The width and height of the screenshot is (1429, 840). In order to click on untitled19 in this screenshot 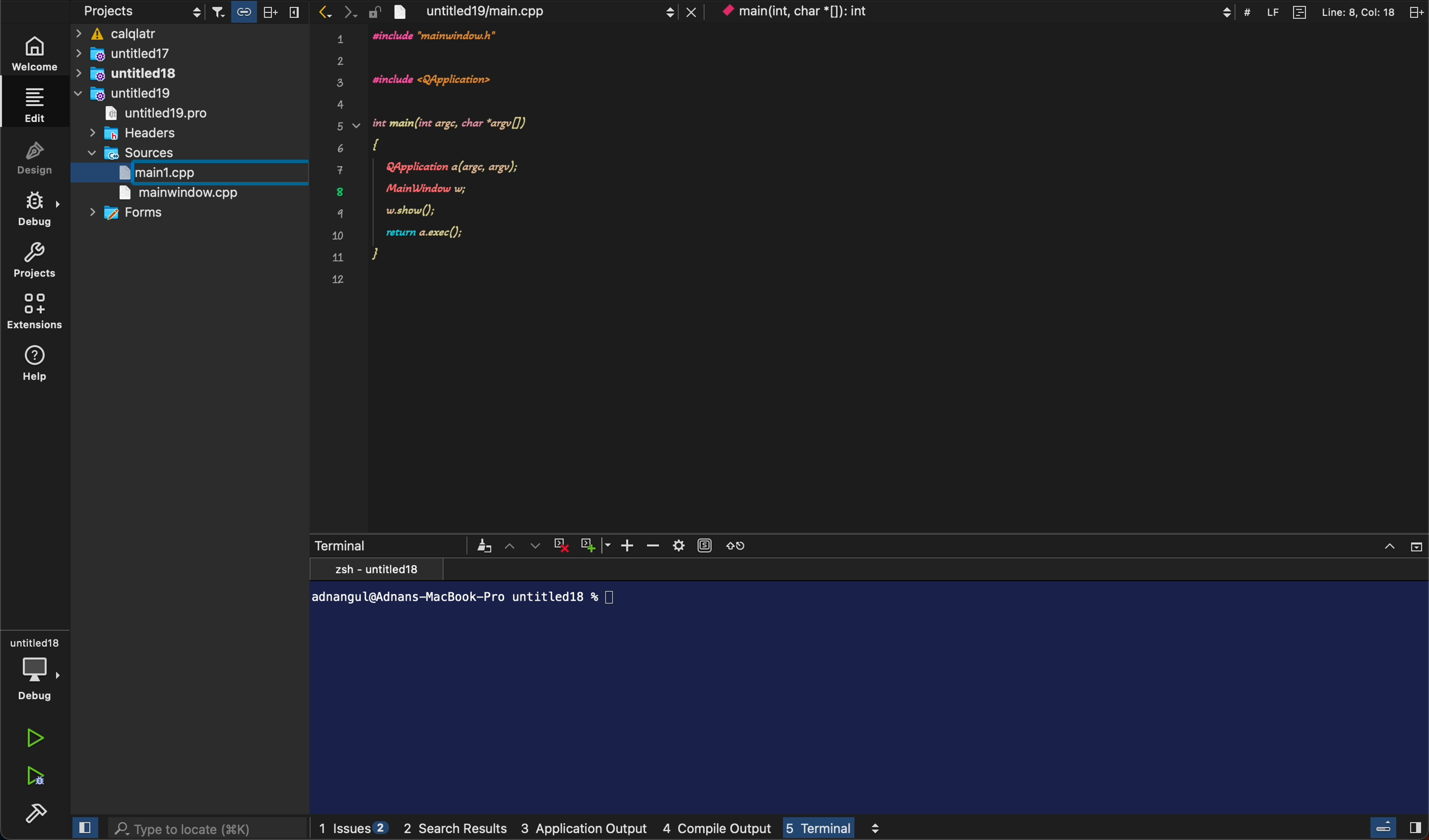, I will do `click(122, 93)`.